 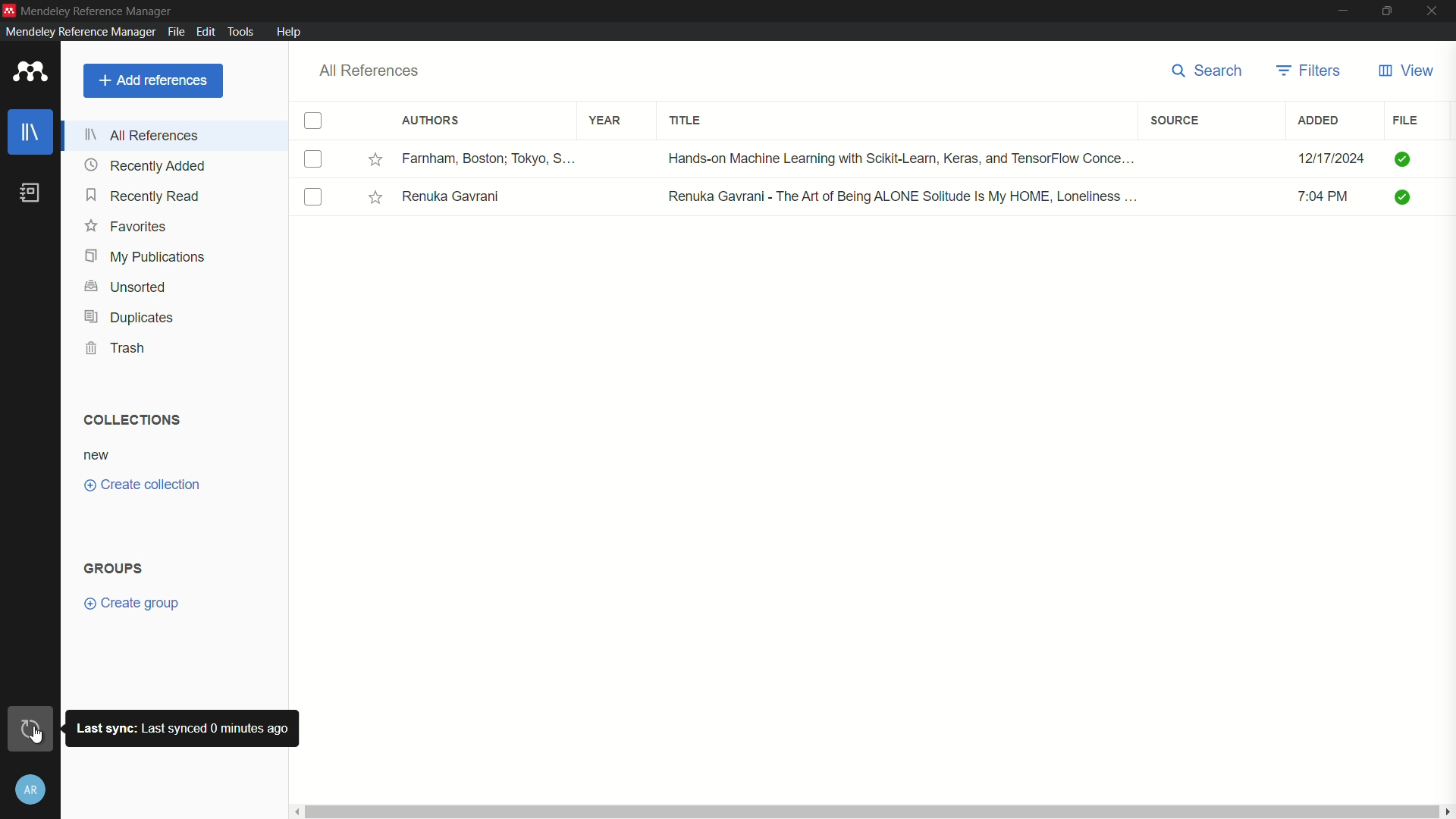 I want to click on cursor, so click(x=42, y=736).